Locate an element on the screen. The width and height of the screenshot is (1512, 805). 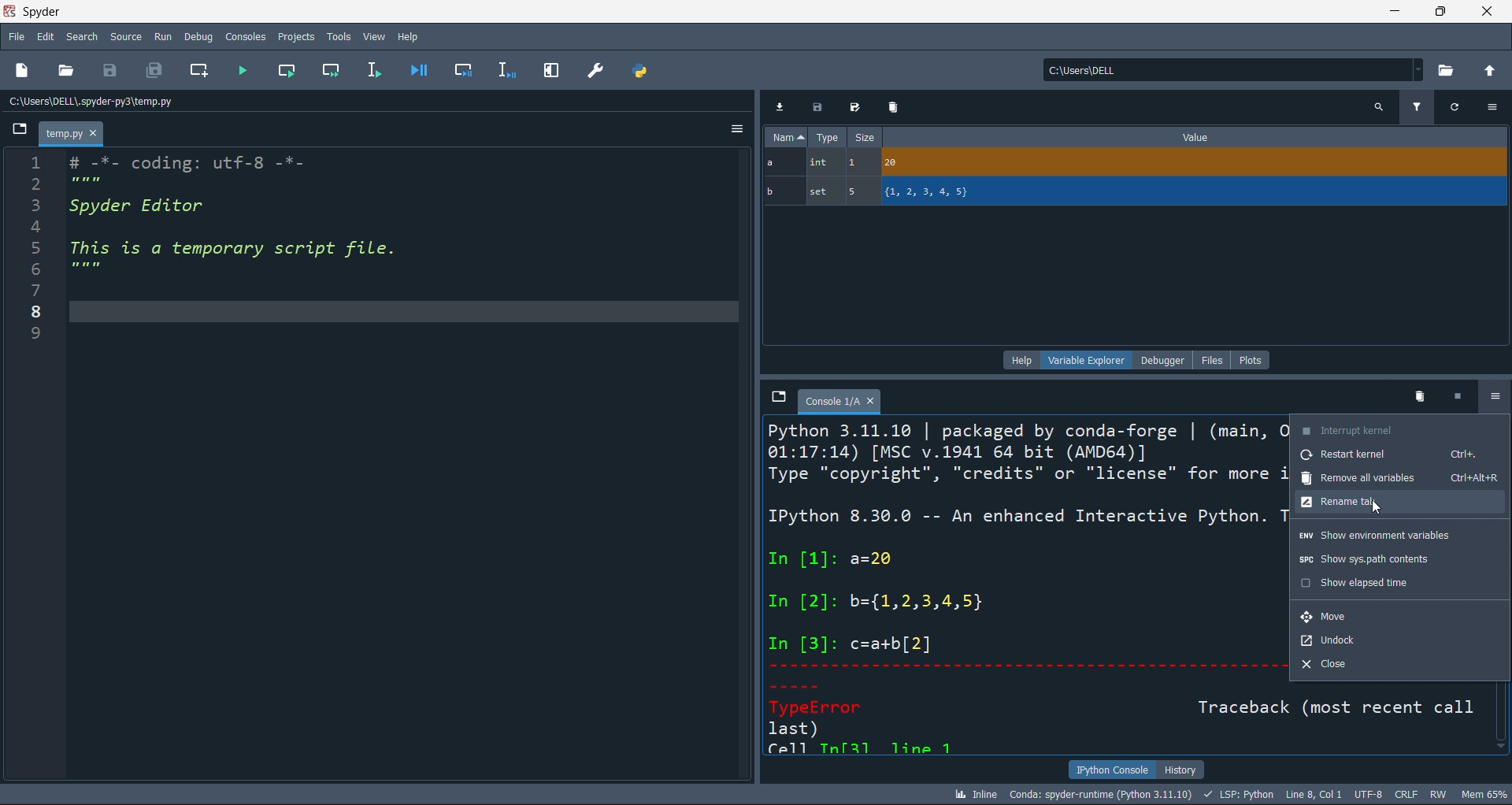
ipython console is located at coordinates (1108, 770).